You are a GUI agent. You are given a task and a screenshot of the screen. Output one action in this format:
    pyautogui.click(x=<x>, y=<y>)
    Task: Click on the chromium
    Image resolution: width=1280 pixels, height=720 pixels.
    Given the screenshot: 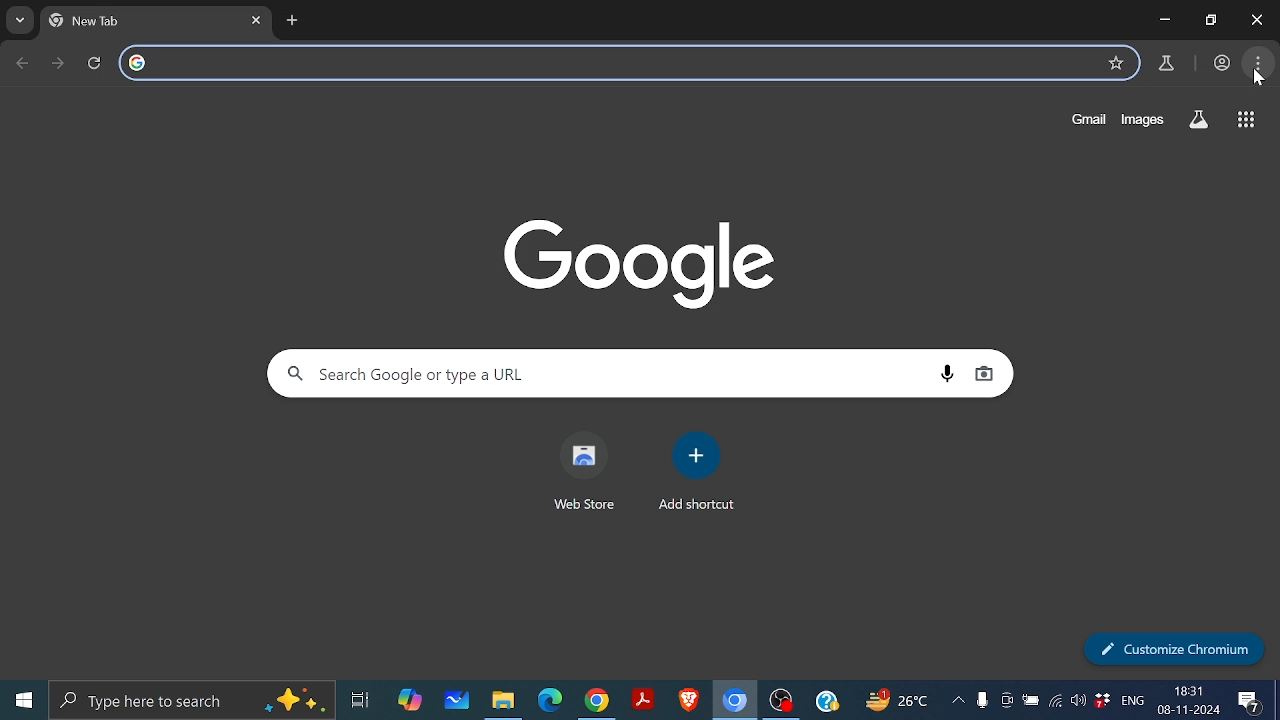 What is the action you would take?
    pyautogui.click(x=735, y=701)
    